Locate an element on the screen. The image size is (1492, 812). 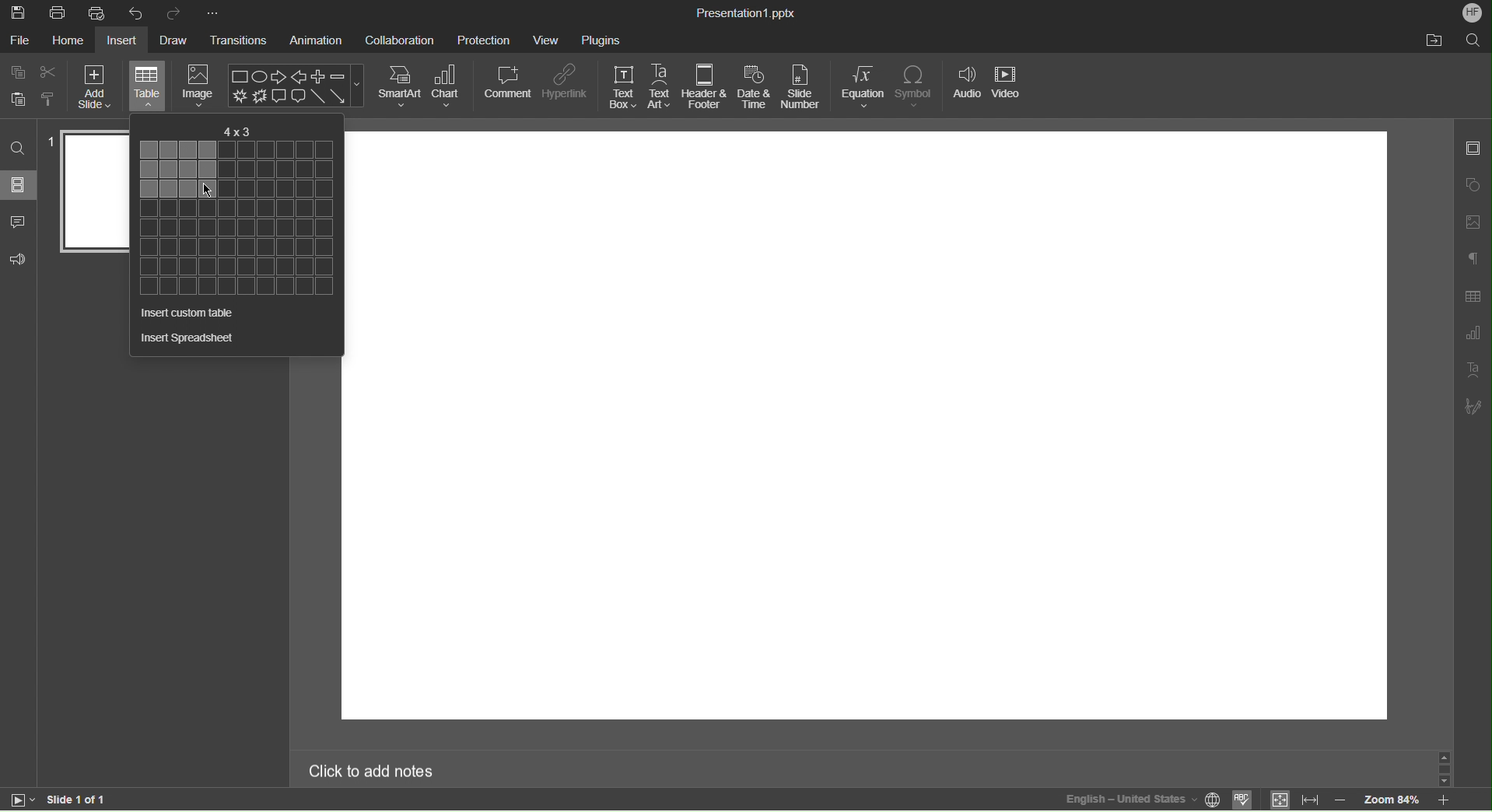
Draw is located at coordinates (176, 41).